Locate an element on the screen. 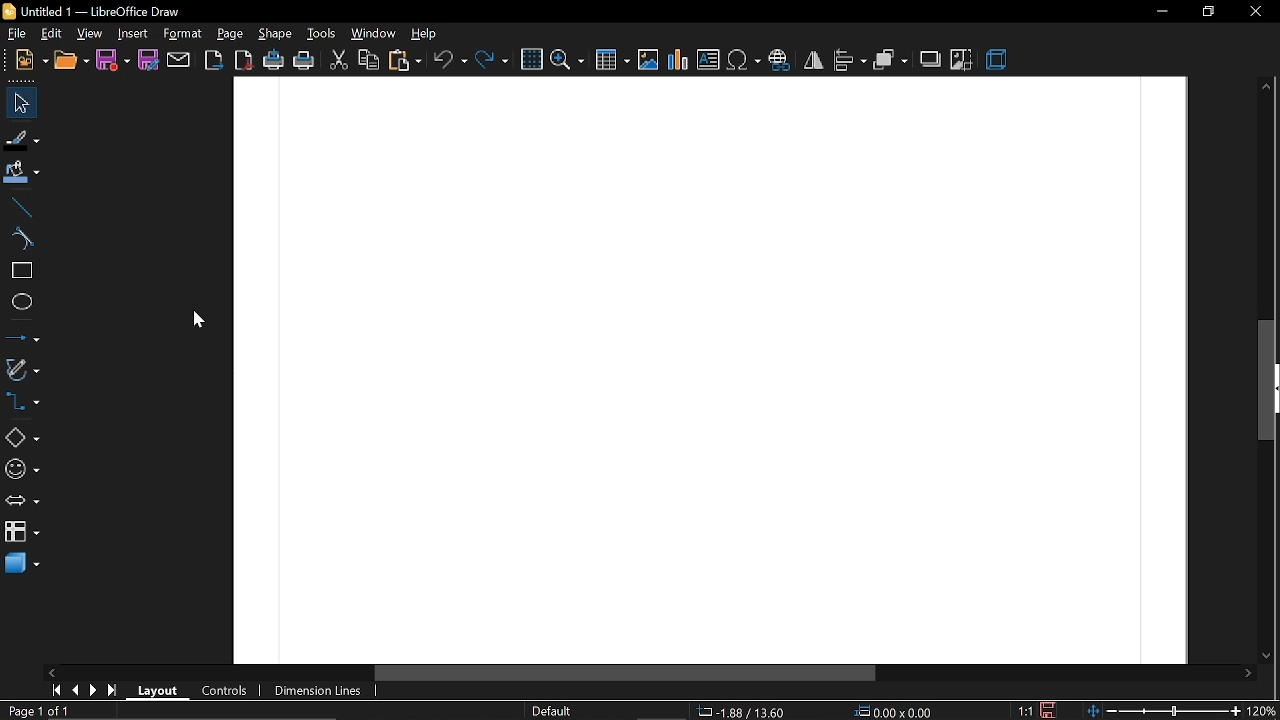  print is located at coordinates (305, 60).